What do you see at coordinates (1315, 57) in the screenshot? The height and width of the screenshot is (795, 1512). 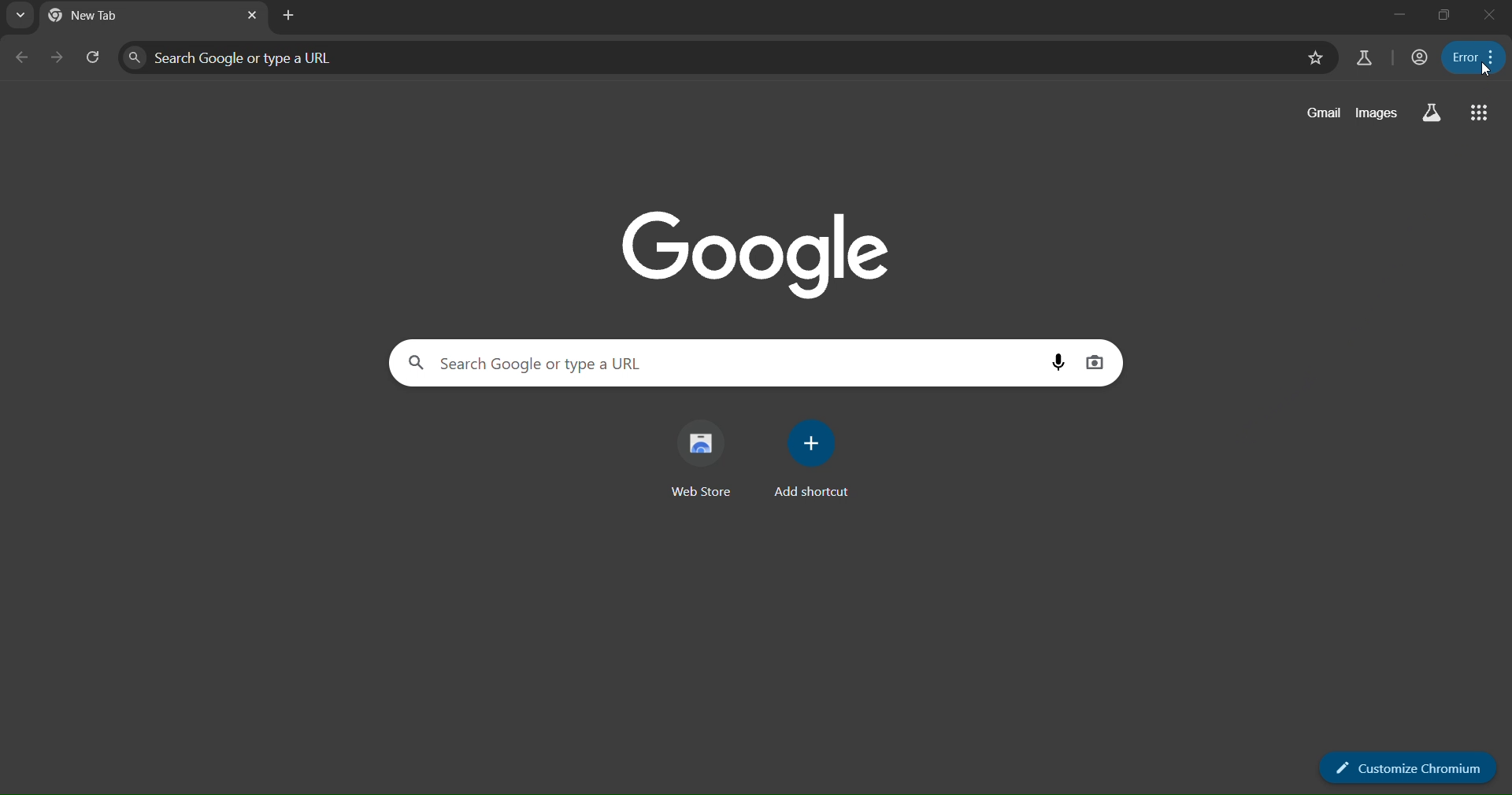 I see `bookmark this page` at bounding box center [1315, 57].